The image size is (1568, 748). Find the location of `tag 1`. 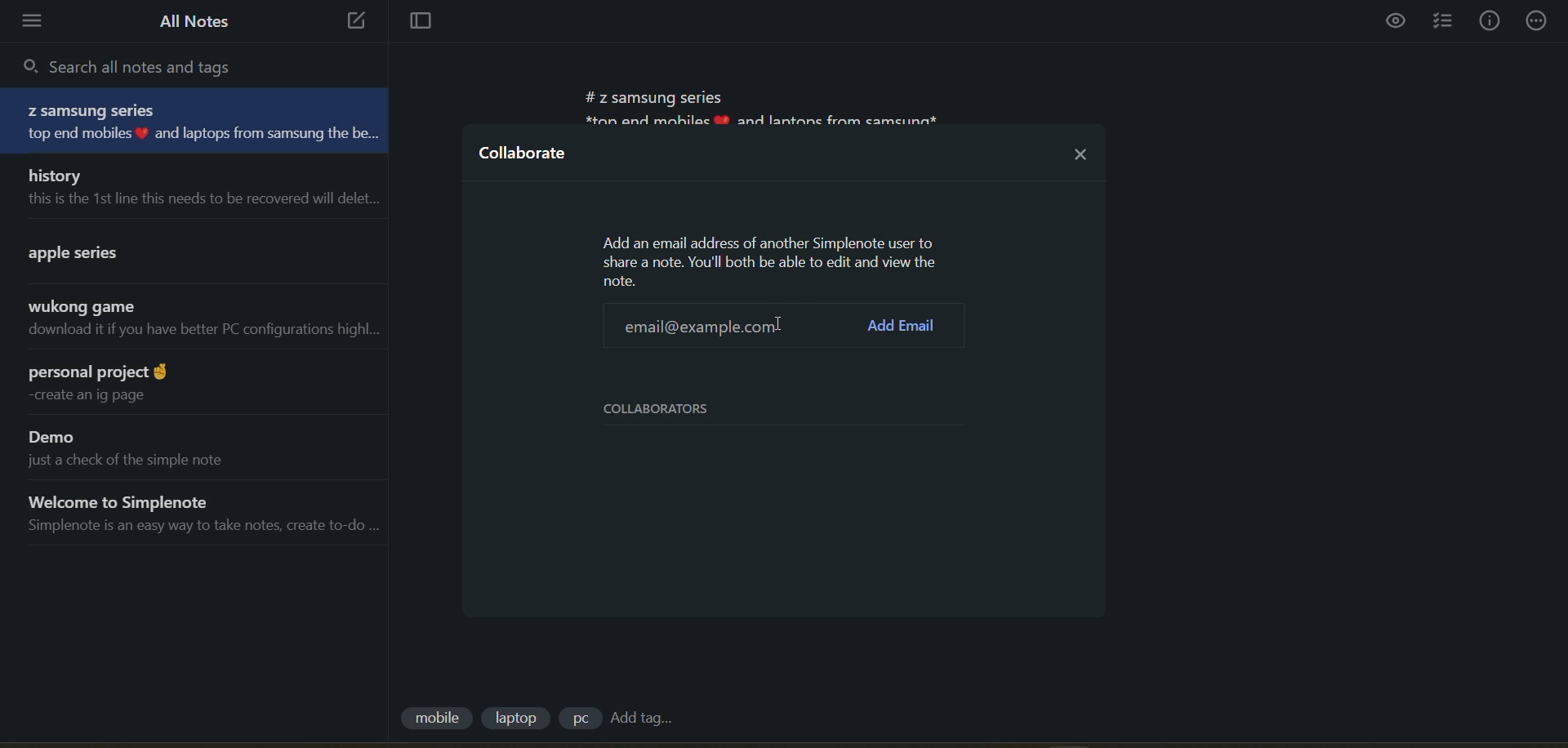

tag 1 is located at coordinates (435, 719).